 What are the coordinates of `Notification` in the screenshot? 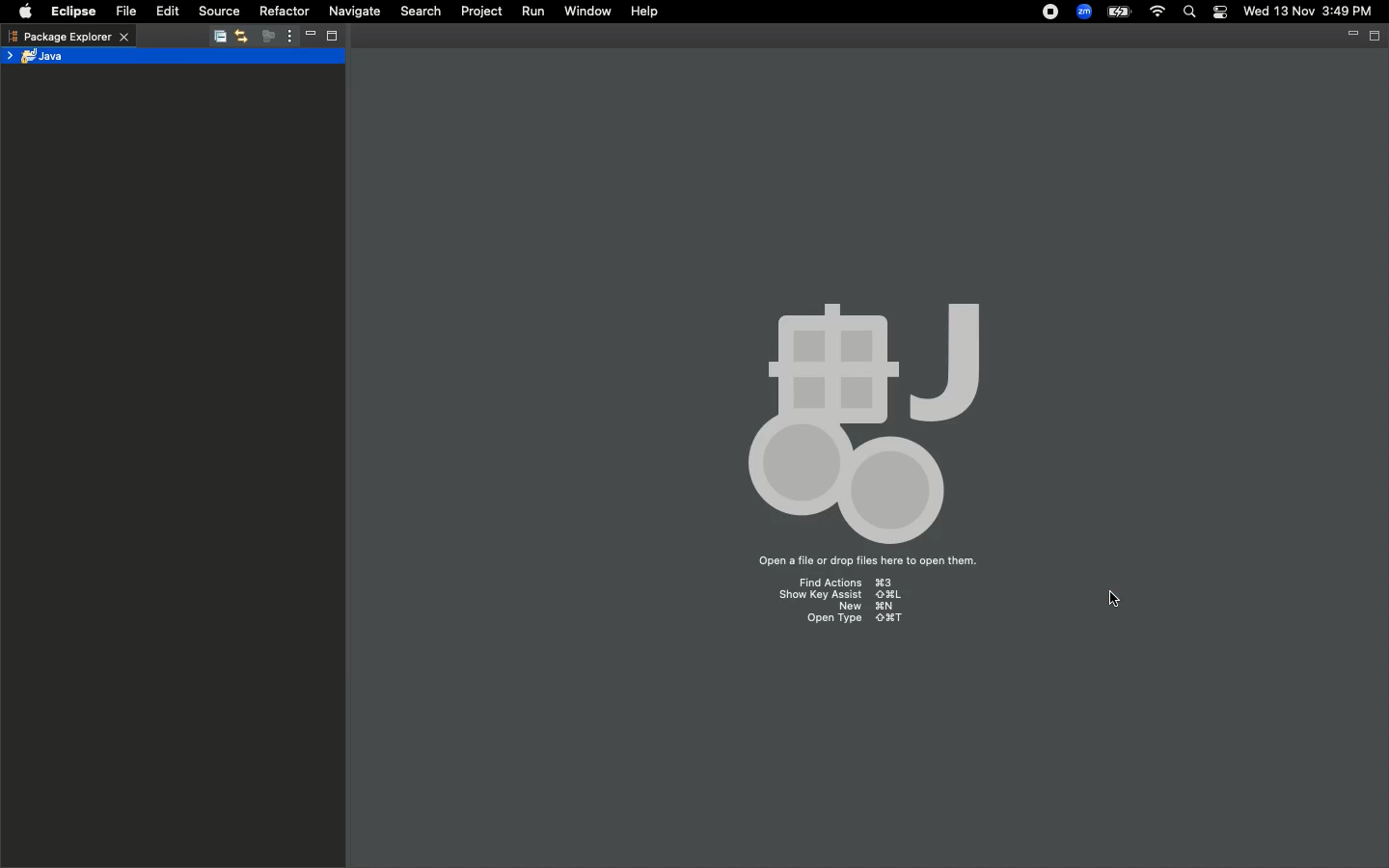 It's located at (1222, 13).